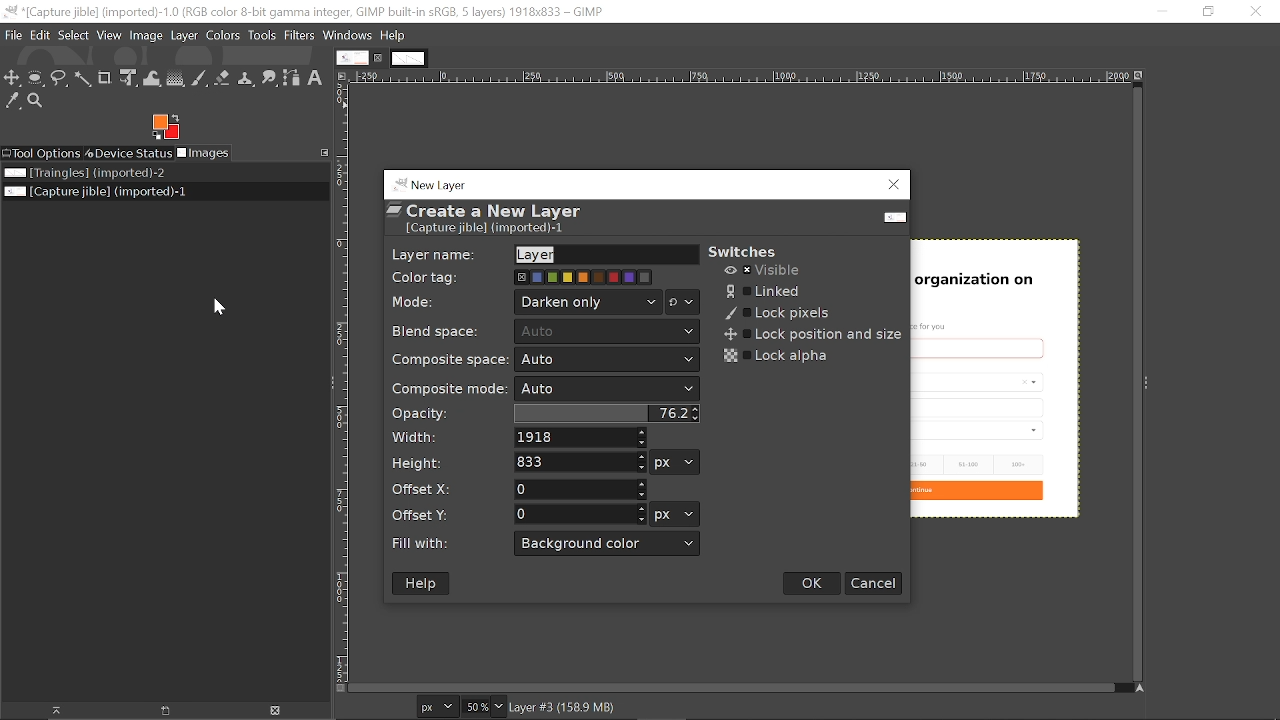 The width and height of the screenshot is (1280, 720). What do you see at coordinates (304, 11) in the screenshot?
I see `cURRENT WINDOW` at bounding box center [304, 11].